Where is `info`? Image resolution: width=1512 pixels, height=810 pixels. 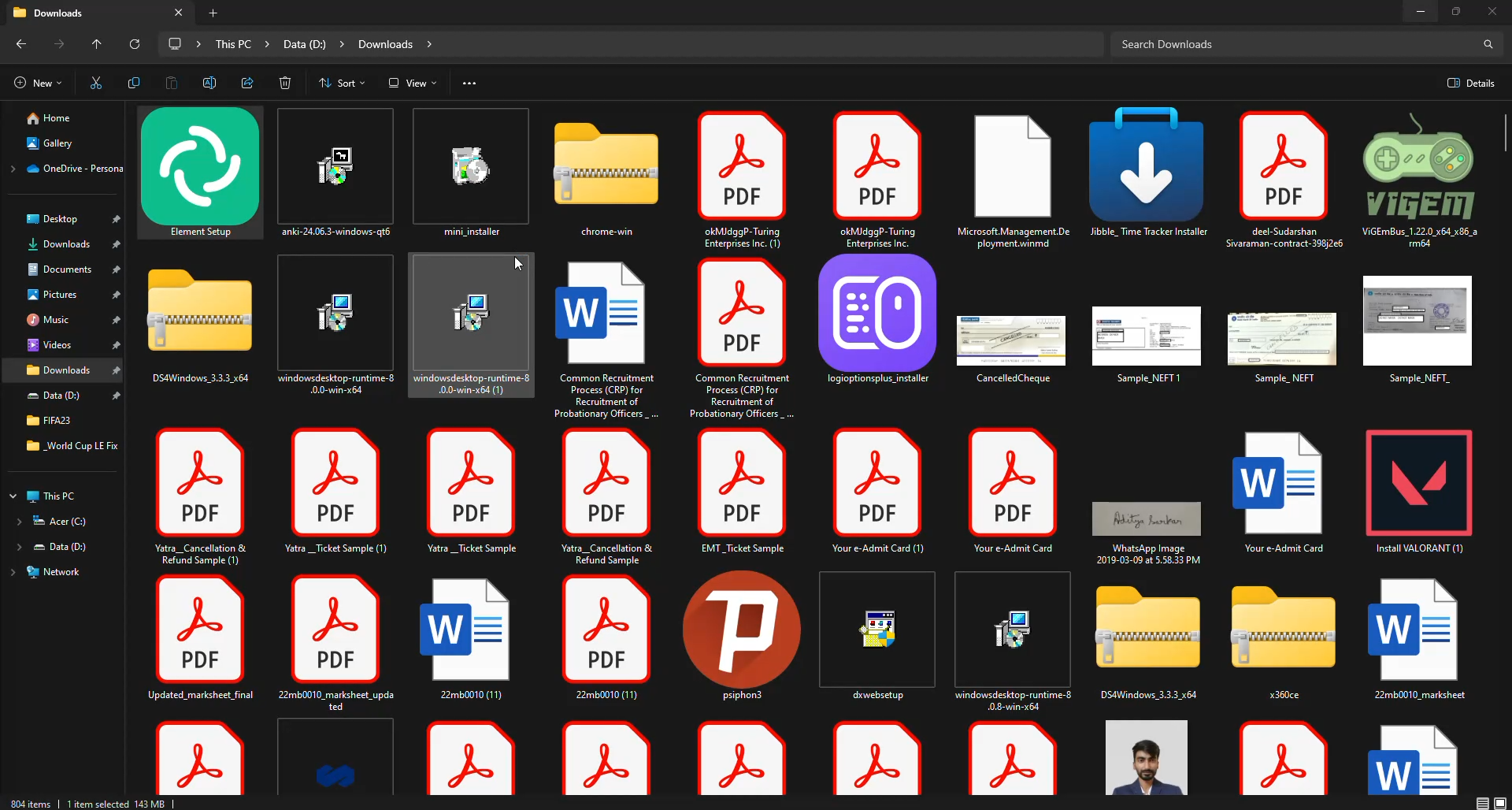
info is located at coordinates (90, 803).